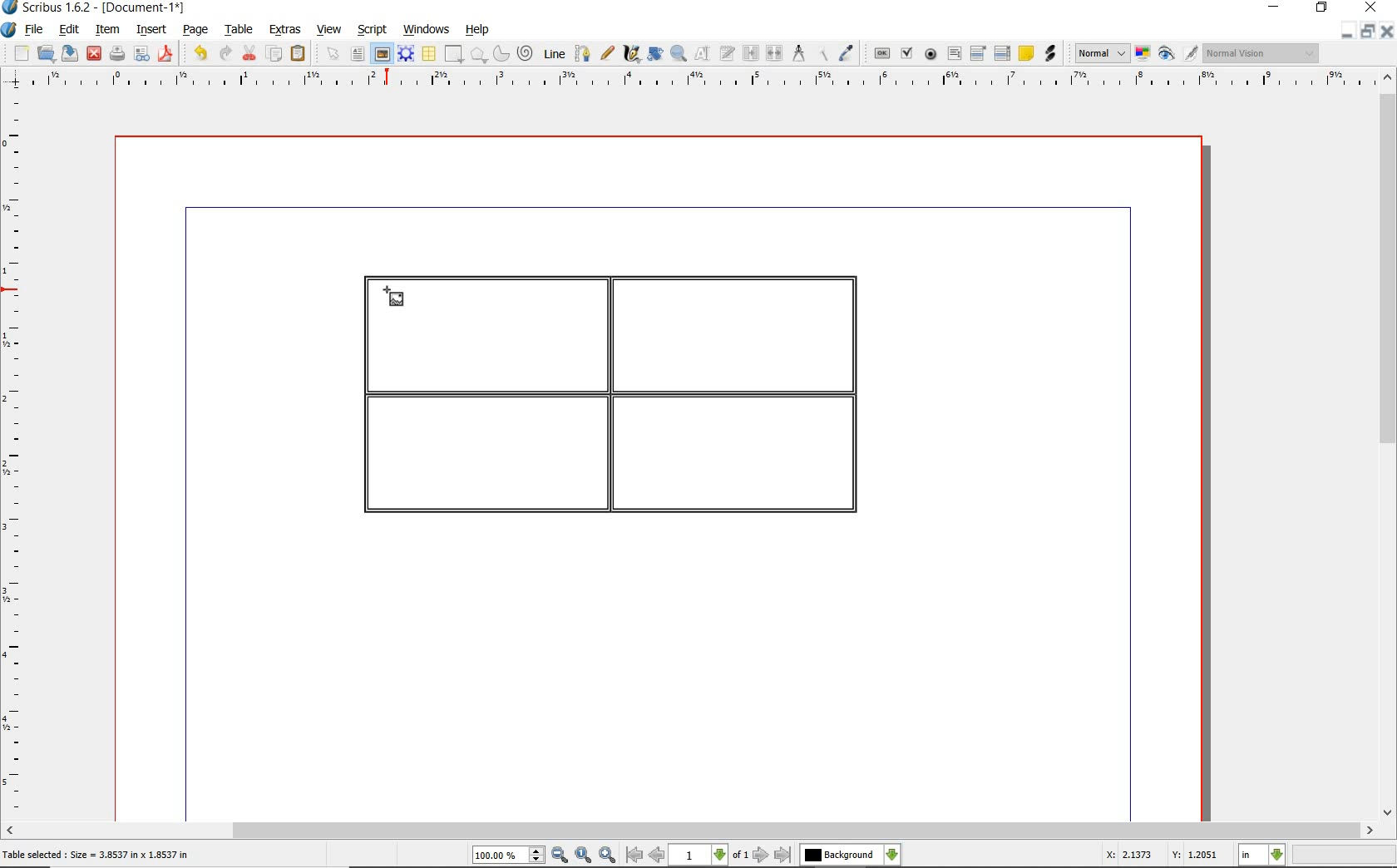 This screenshot has width=1397, height=868. What do you see at coordinates (96, 854) in the screenshot?
I see `Table selected : Size = 3.8537 in x 1.8537 in` at bounding box center [96, 854].